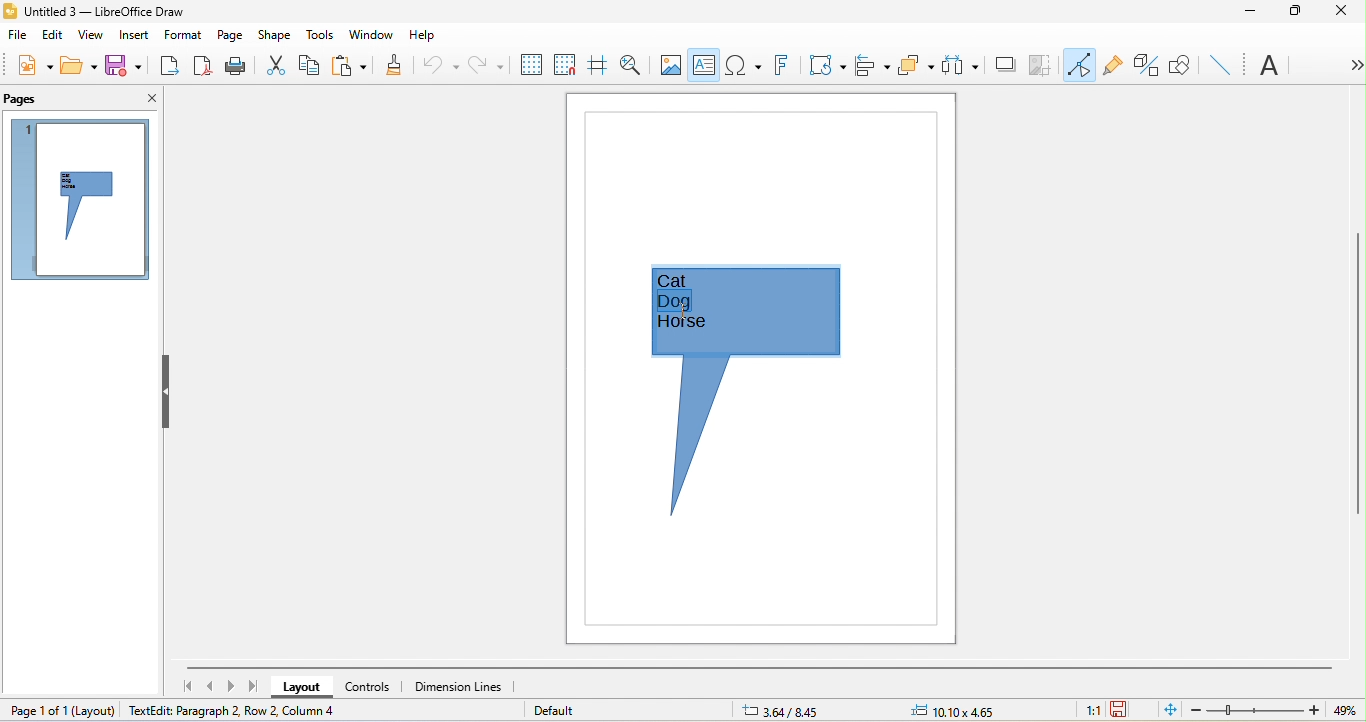 Image resolution: width=1366 pixels, height=722 pixels. I want to click on special character, so click(741, 64).